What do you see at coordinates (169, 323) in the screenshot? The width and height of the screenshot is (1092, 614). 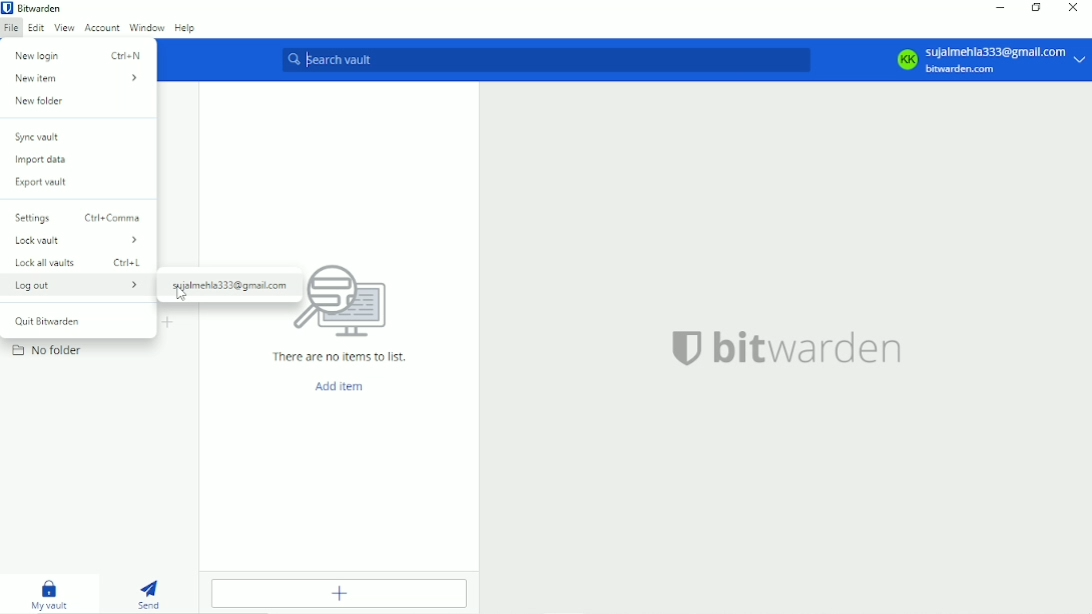 I see `Create folder` at bounding box center [169, 323].